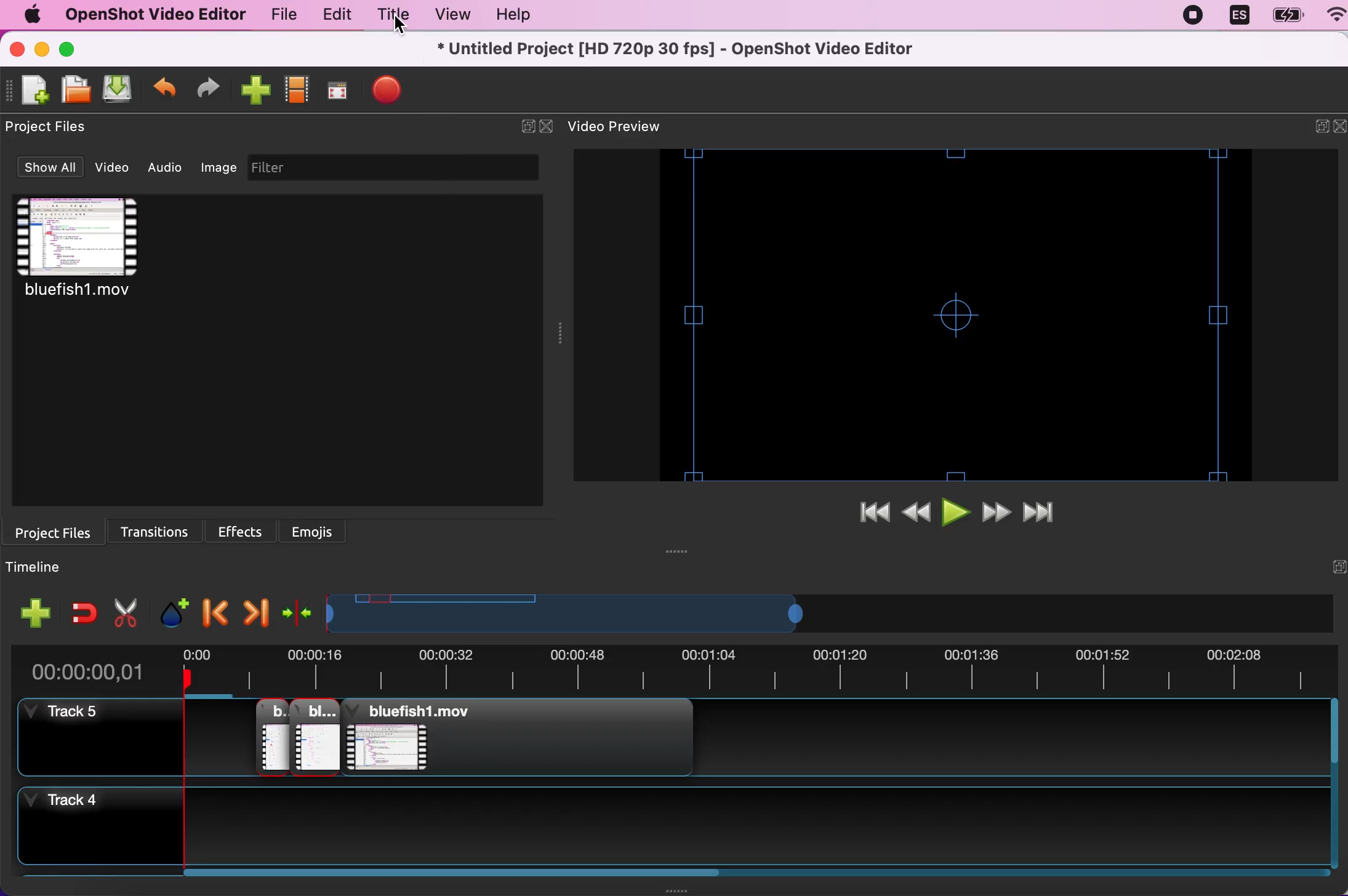 The width and height of the screenshot is (1348, 896). I want to click on show all, so click(48, 169).